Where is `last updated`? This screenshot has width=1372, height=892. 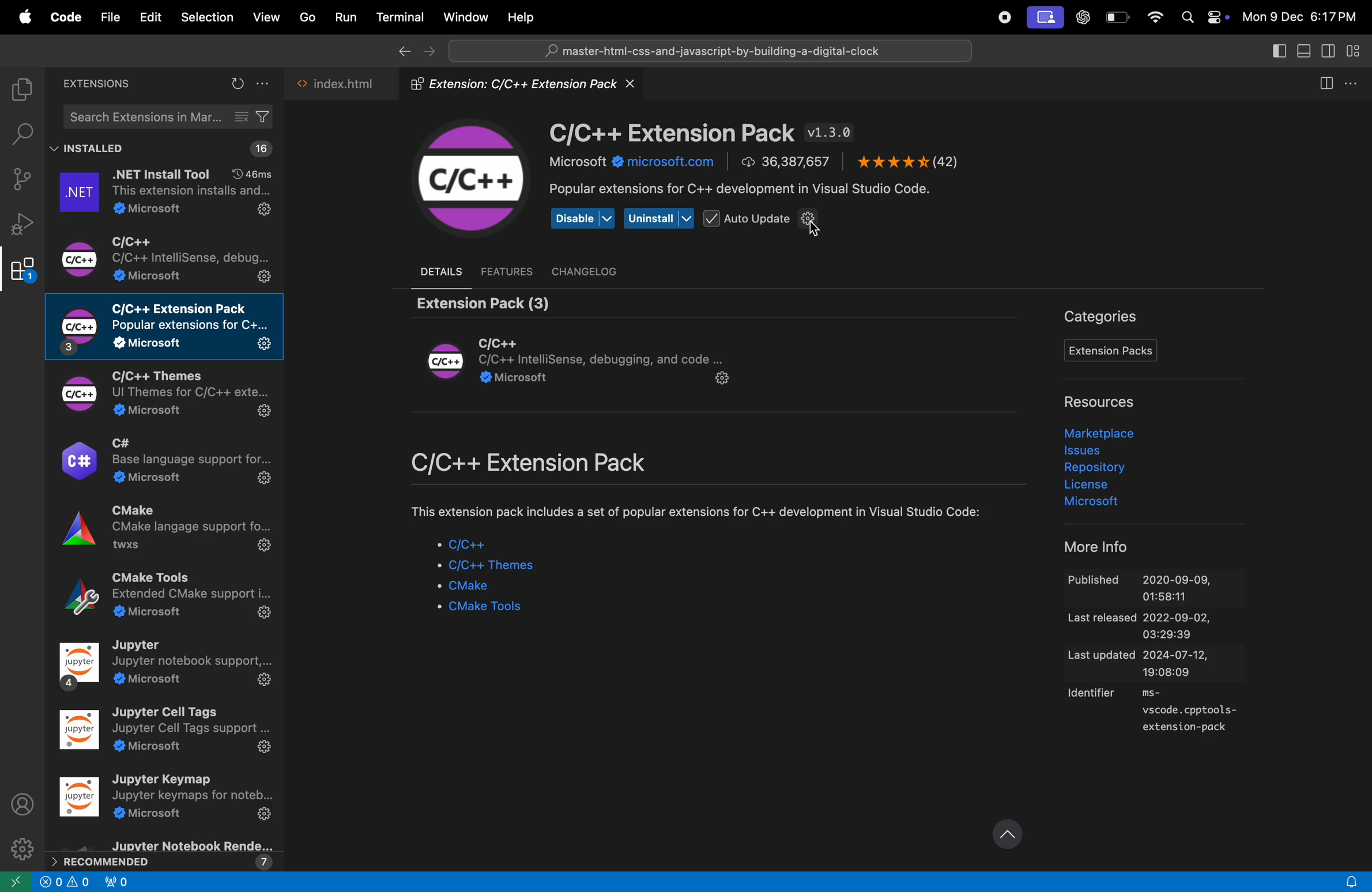
last updated is located at coordinates (1158, 666).